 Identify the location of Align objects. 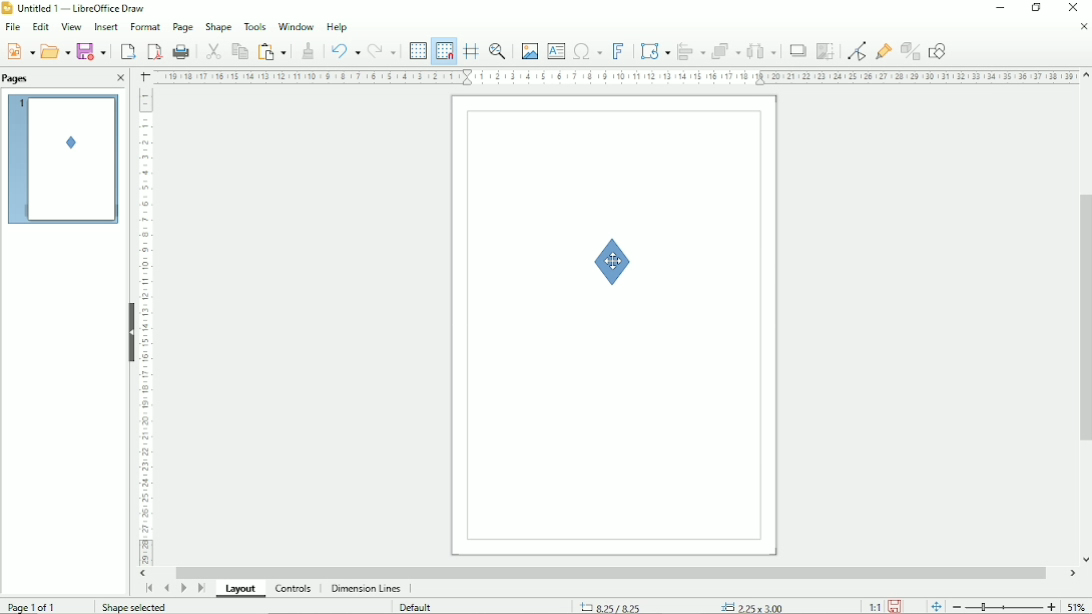
(689, 50).